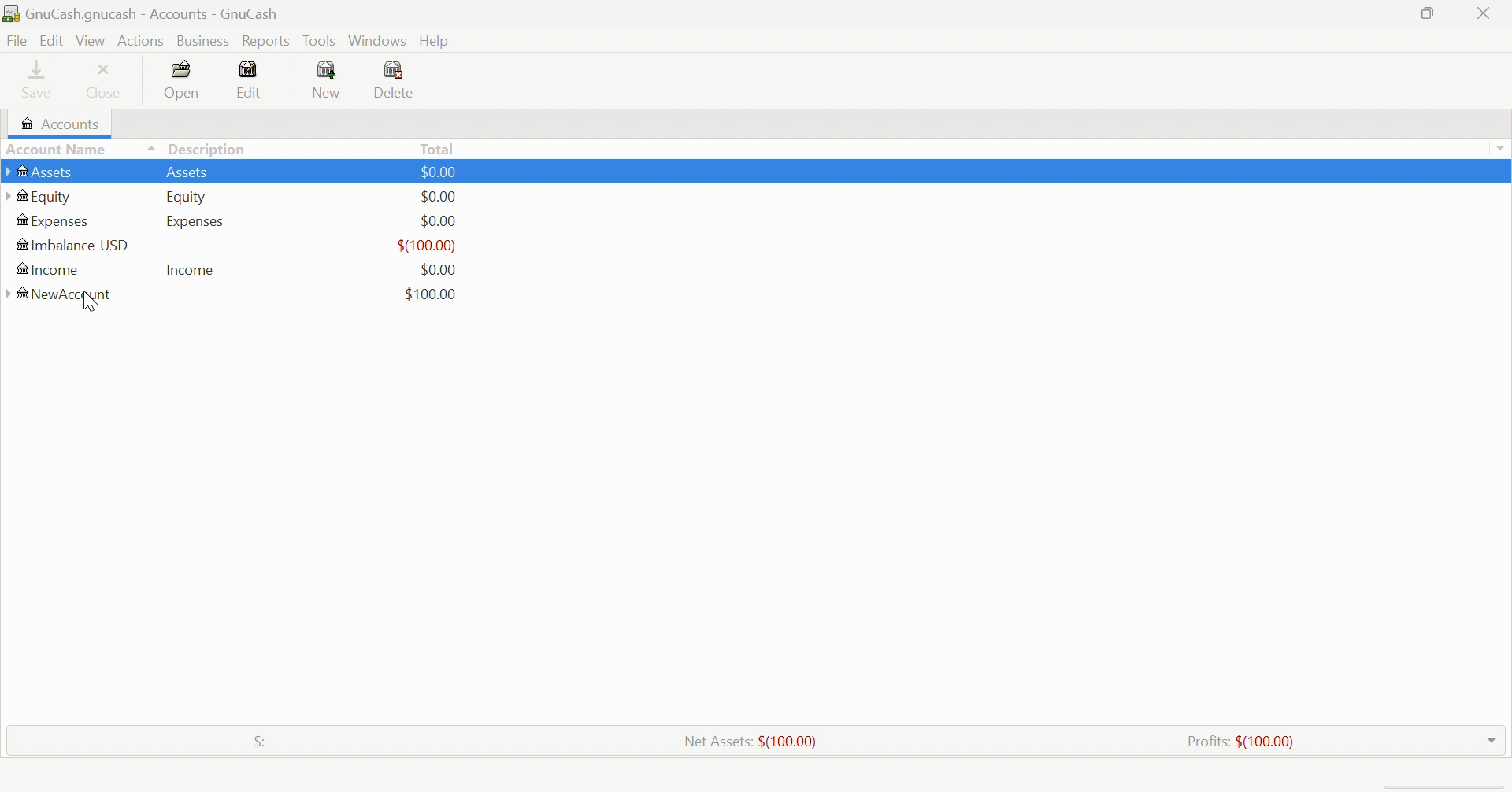  What do you see at coordinates (186, 172) in the screenshot?
I see `Assets` at bounding box center [186, 172].